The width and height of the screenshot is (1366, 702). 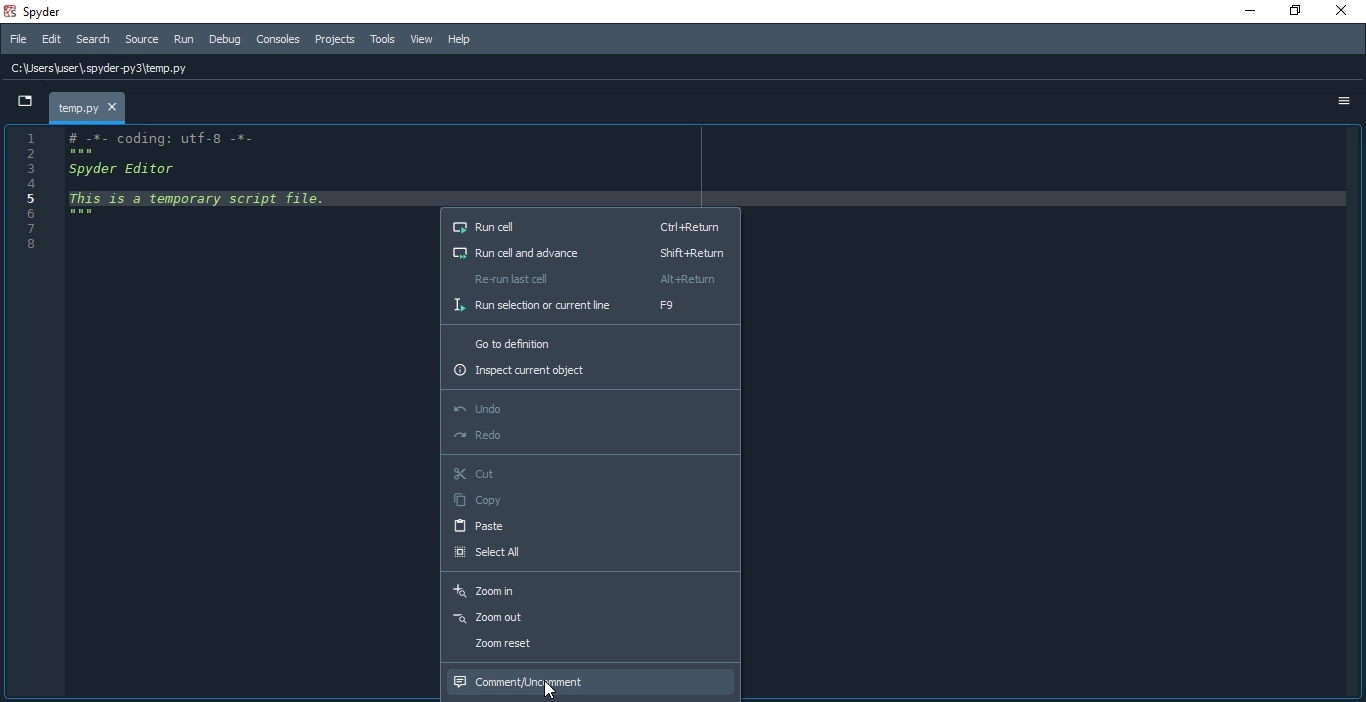 What do you see at coordinates (141, 41) in the screenshot?
I see `source ` at bounding box center [141, 41].